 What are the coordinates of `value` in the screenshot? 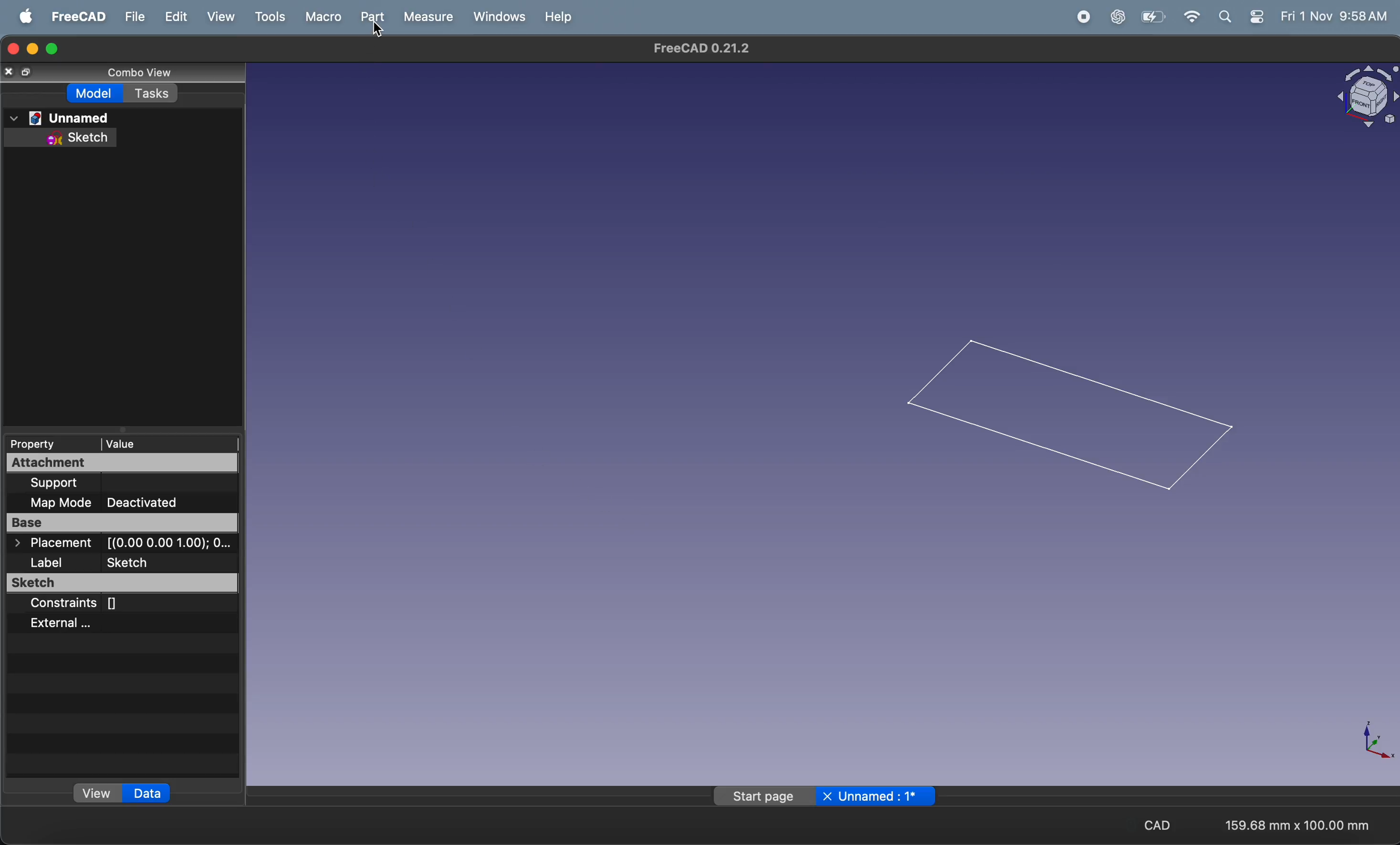 It's located at (155, 444).